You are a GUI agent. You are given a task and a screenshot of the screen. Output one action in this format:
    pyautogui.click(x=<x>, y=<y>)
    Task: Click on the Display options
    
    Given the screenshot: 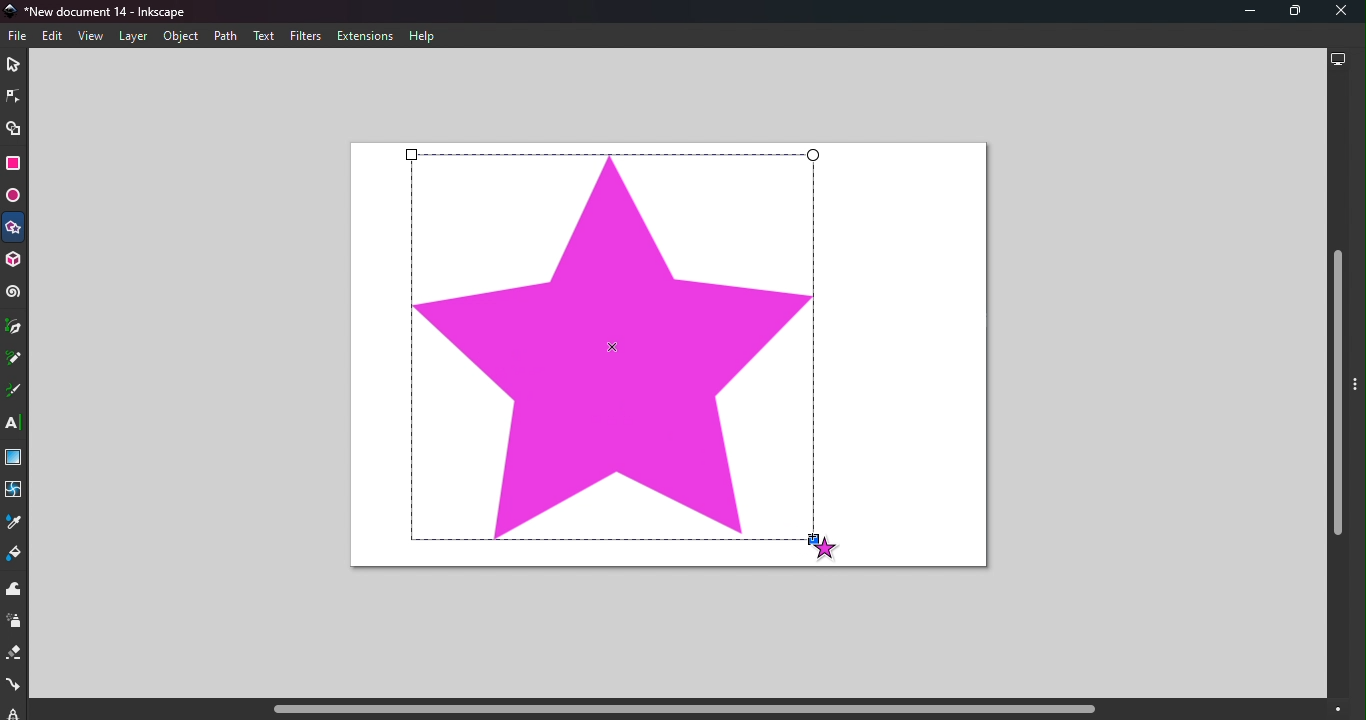 What is the action you would take?
    pyautogui.click(x=1338, y=62)
    